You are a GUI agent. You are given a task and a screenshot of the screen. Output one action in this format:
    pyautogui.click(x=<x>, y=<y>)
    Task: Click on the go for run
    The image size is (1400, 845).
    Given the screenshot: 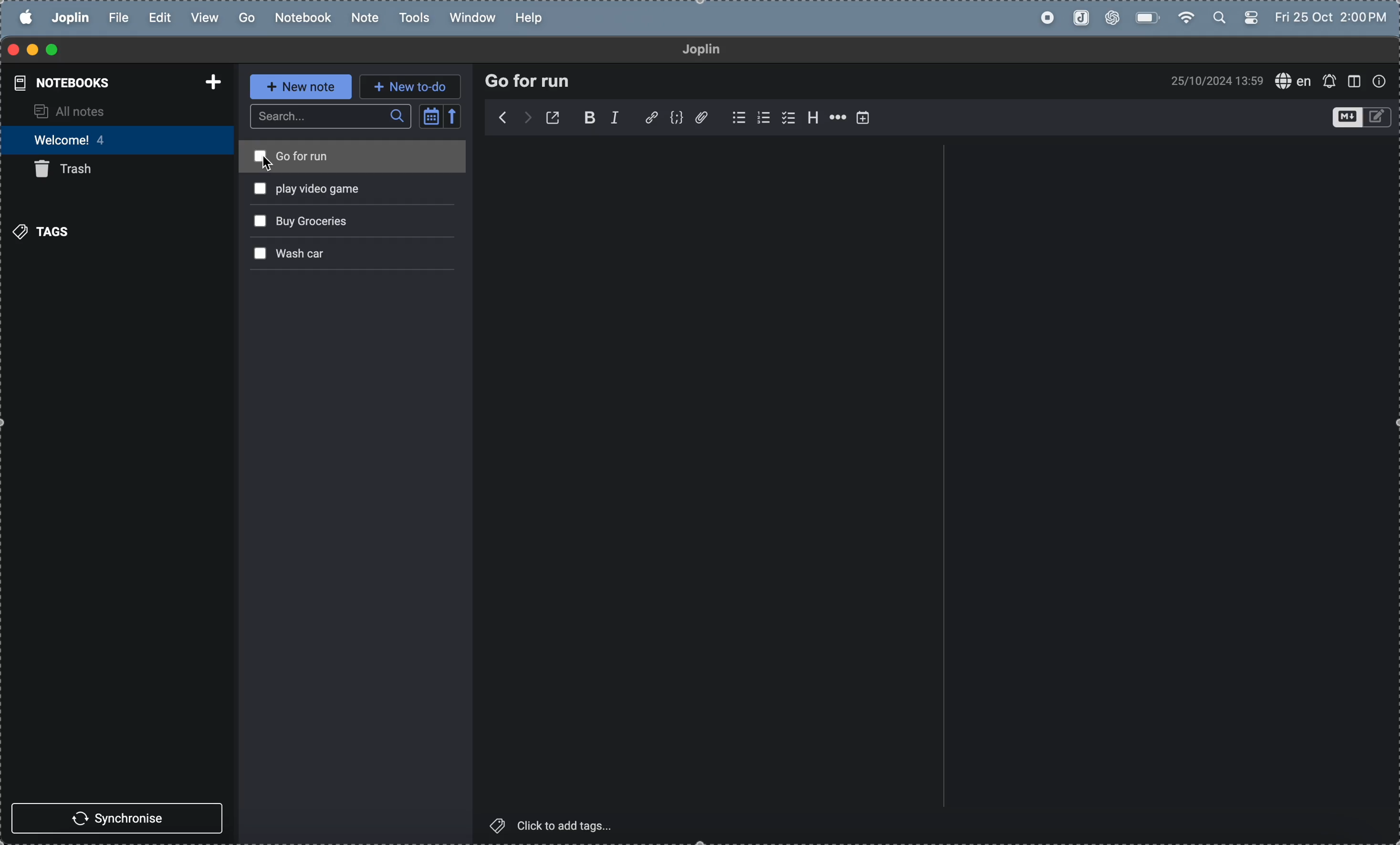 What is the action you would take?
    pyautogui.click(x=369, y=154)
    